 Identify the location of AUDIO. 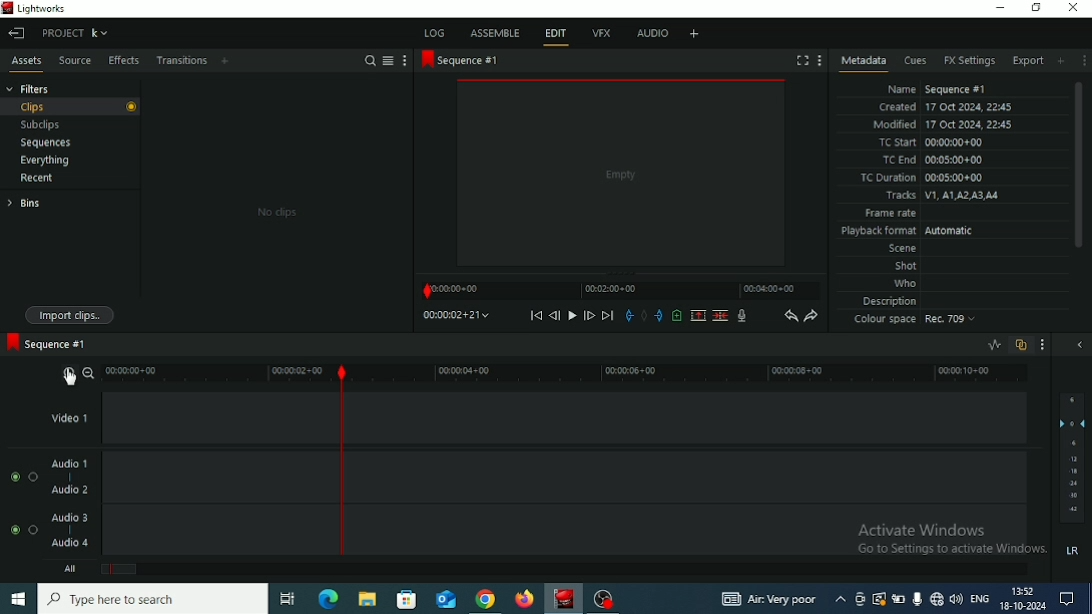
(650, 33).